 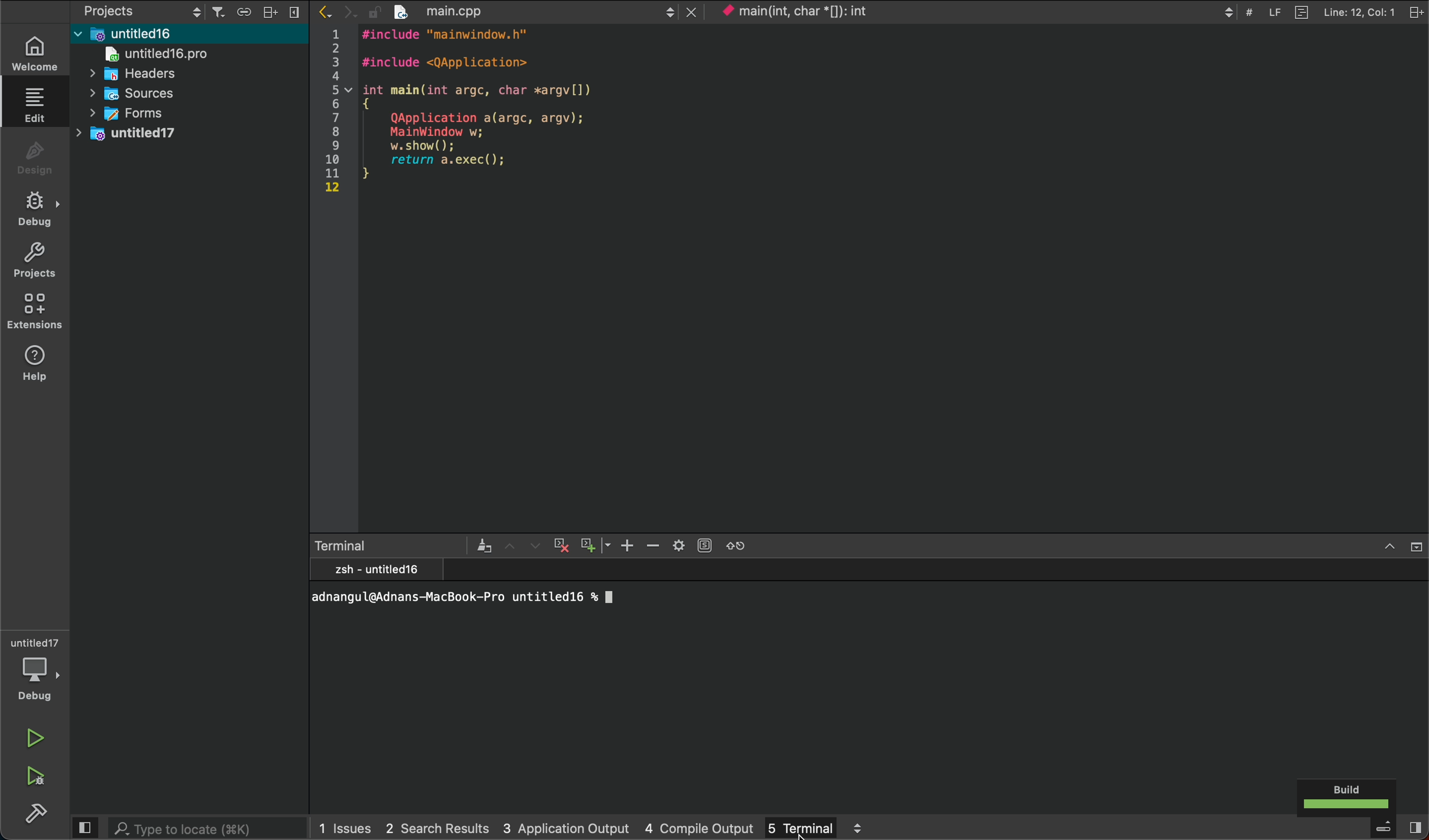 I want to click on zsh - untitled 16, so click(x=379, y=570).